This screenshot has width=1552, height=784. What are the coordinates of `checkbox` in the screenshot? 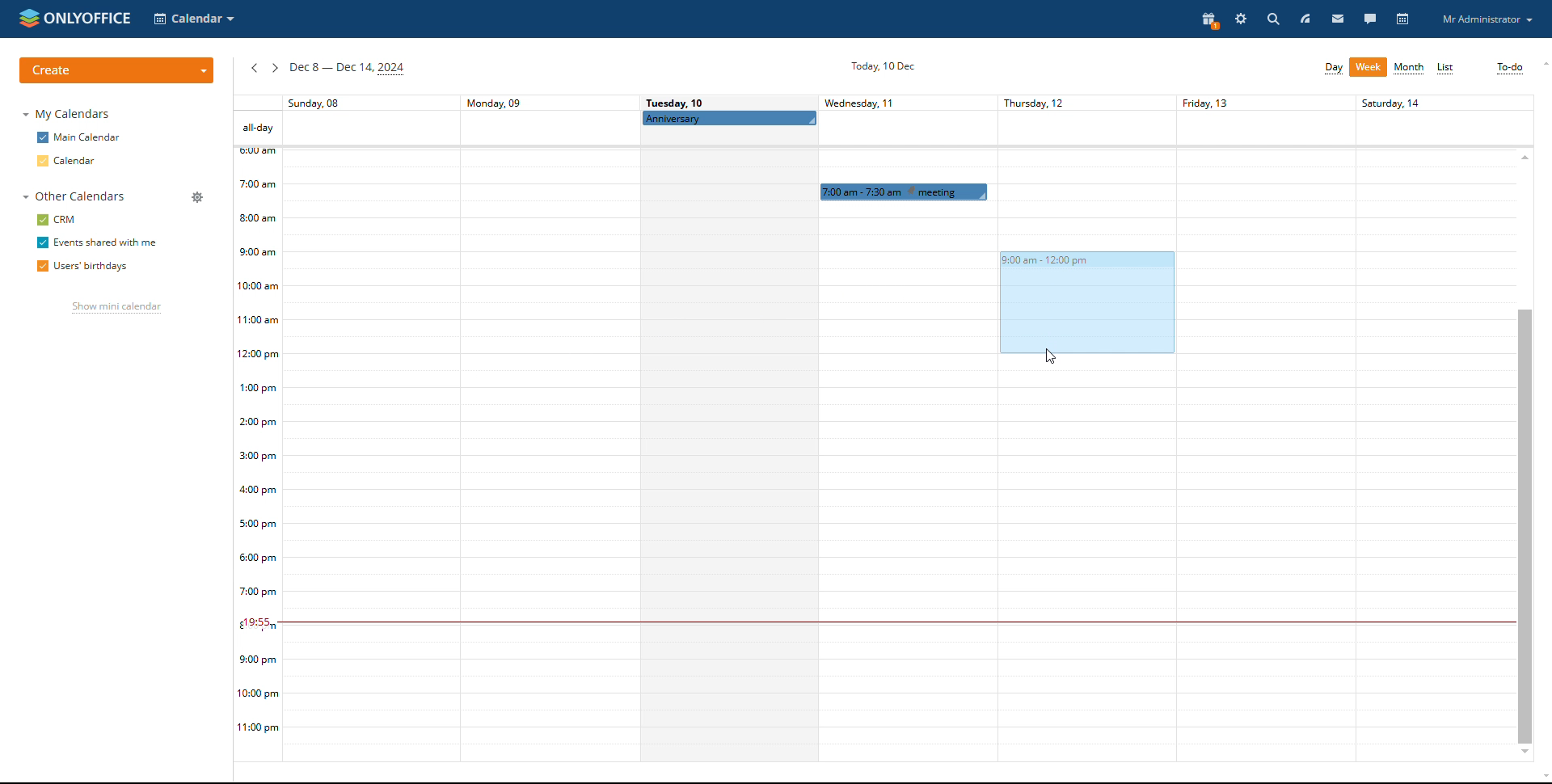 It's located at (41, 242).